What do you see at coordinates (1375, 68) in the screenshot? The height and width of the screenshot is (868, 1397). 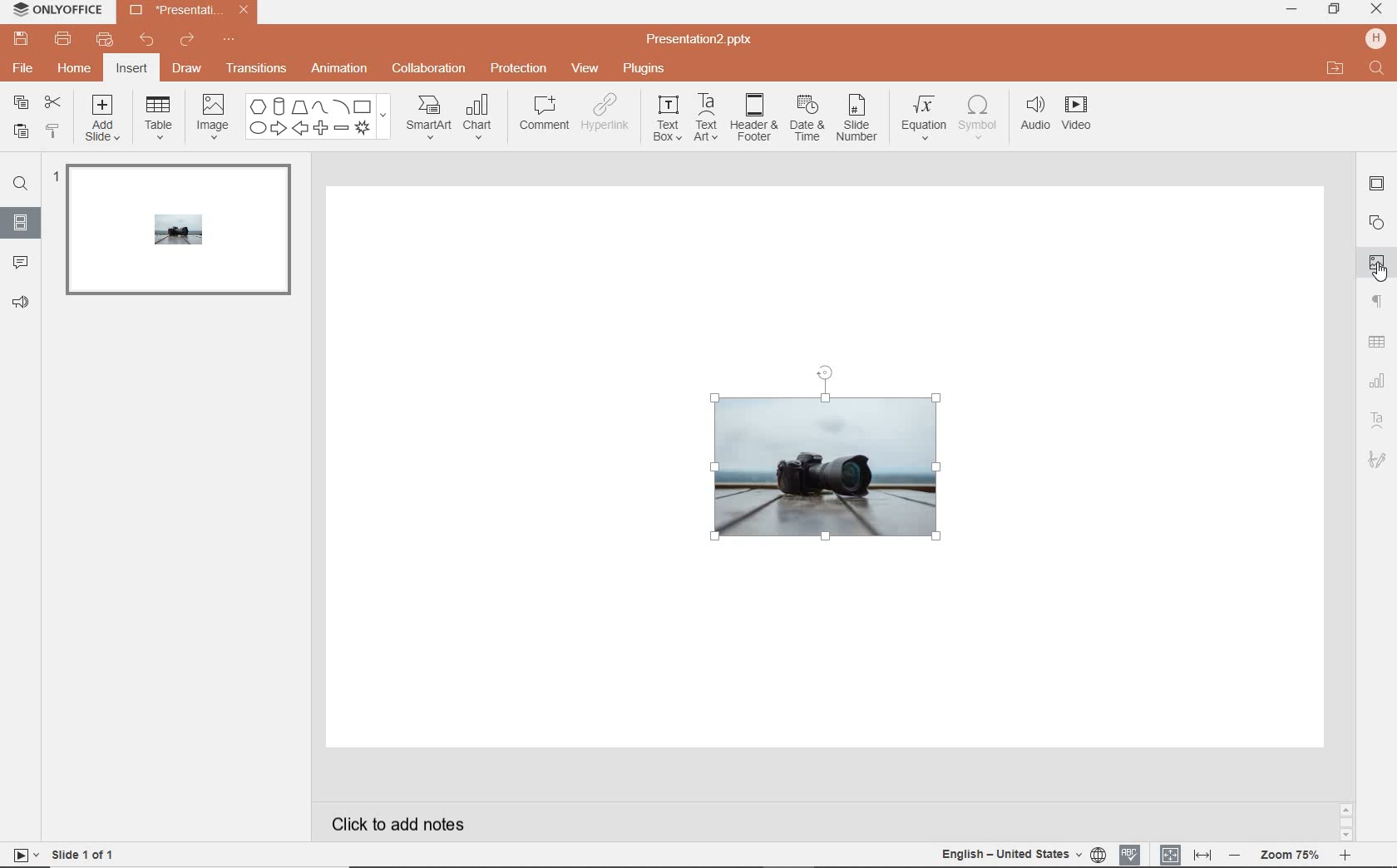 I see `Find` at bounding box center [1375, 68].